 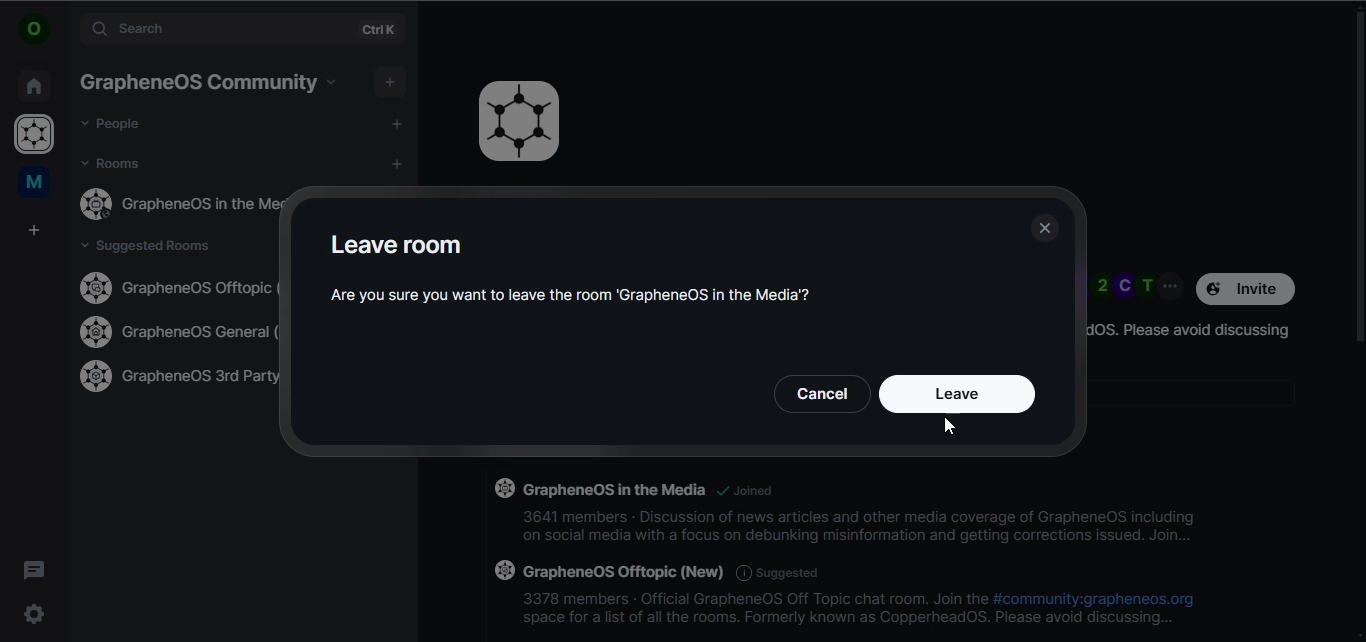 What do you see at coordinates (37, 136) in the screenshot?
I see `grapheneOS` at bounding box center [37, 136].